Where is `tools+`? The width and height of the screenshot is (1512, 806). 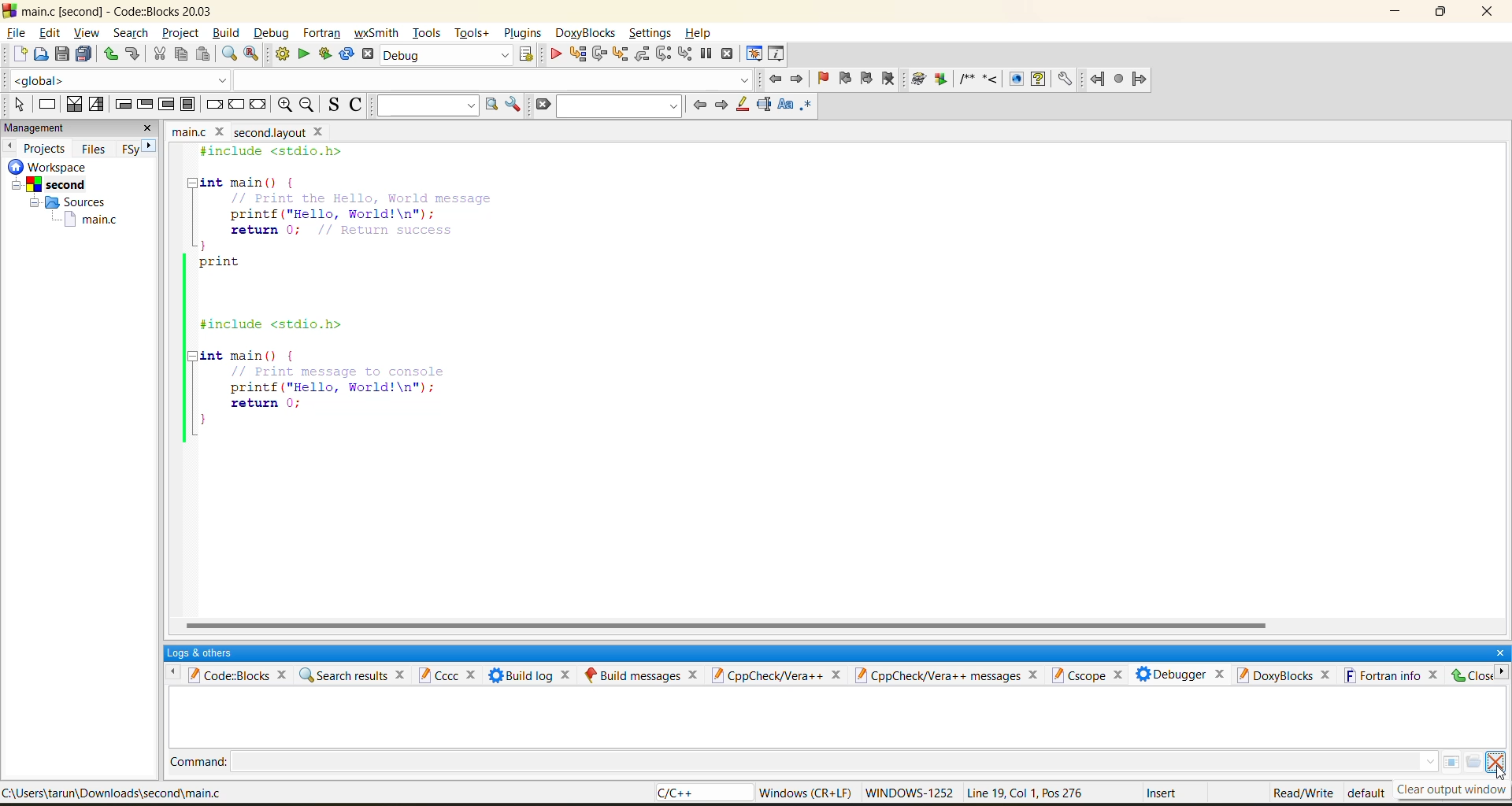 tools+ is located at coordinates (473, 34).